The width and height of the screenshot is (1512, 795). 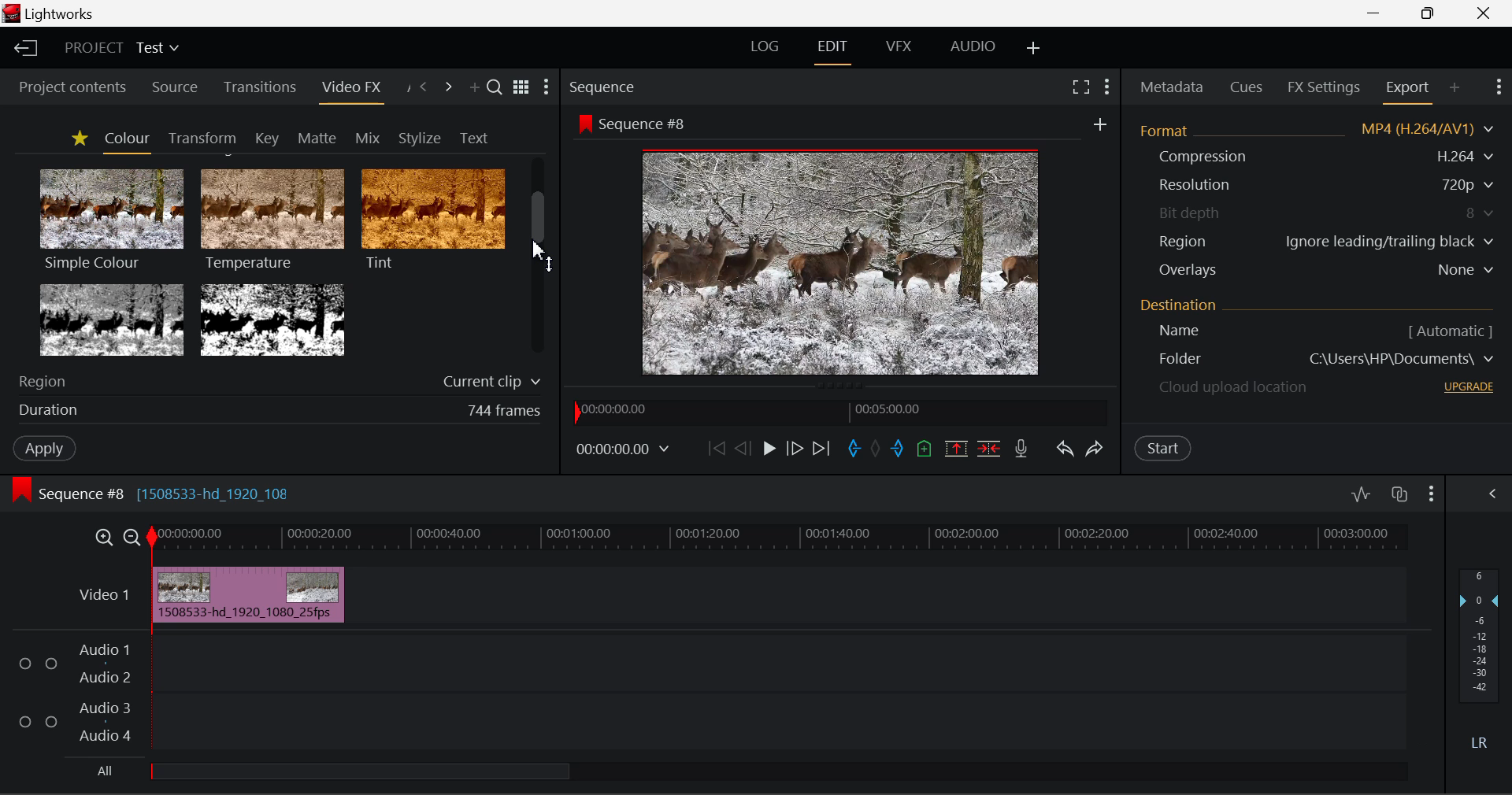 What do you see at coordinates (825, 449) in the screenshot?
I see `To End` at bounding box center [825, 449].